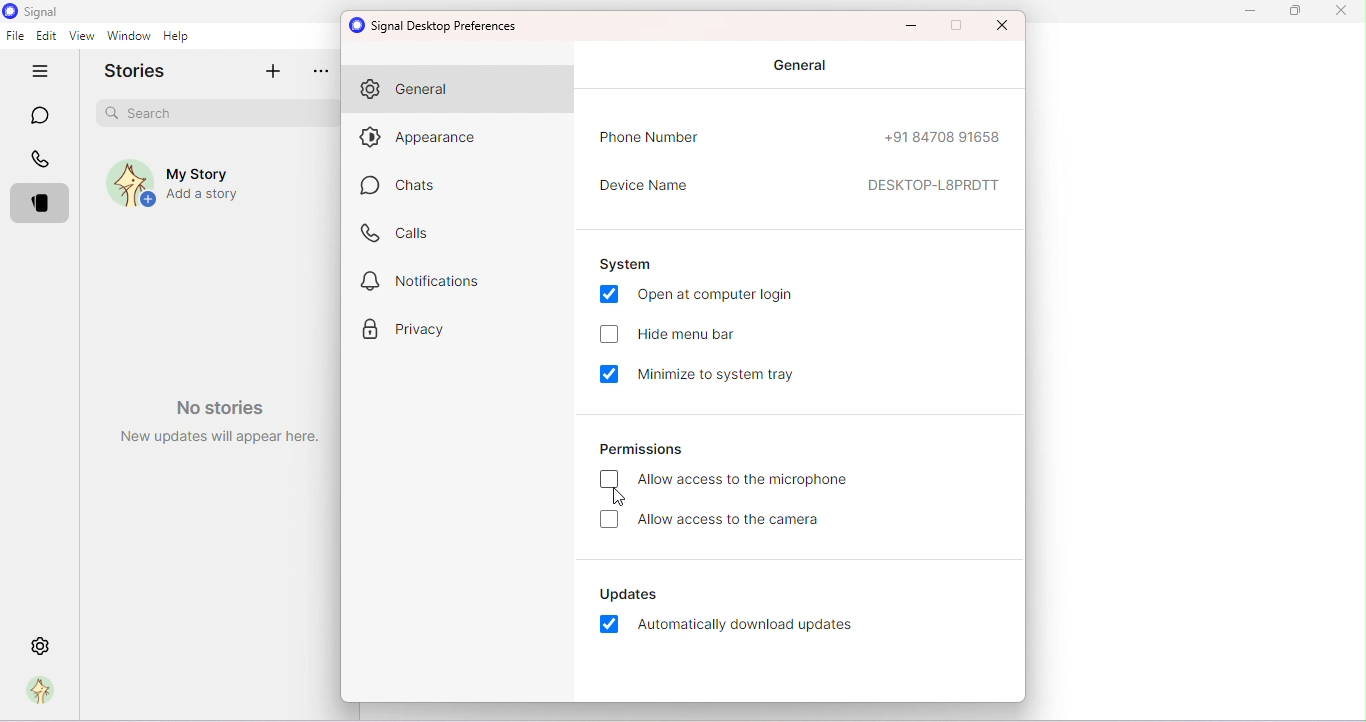 Image resolution: width=1366 pixels, height=722 pixels. What do you see at coordinates (40, 208) in the screenshot?
I see `Stories` at bounding box center [40, 208].